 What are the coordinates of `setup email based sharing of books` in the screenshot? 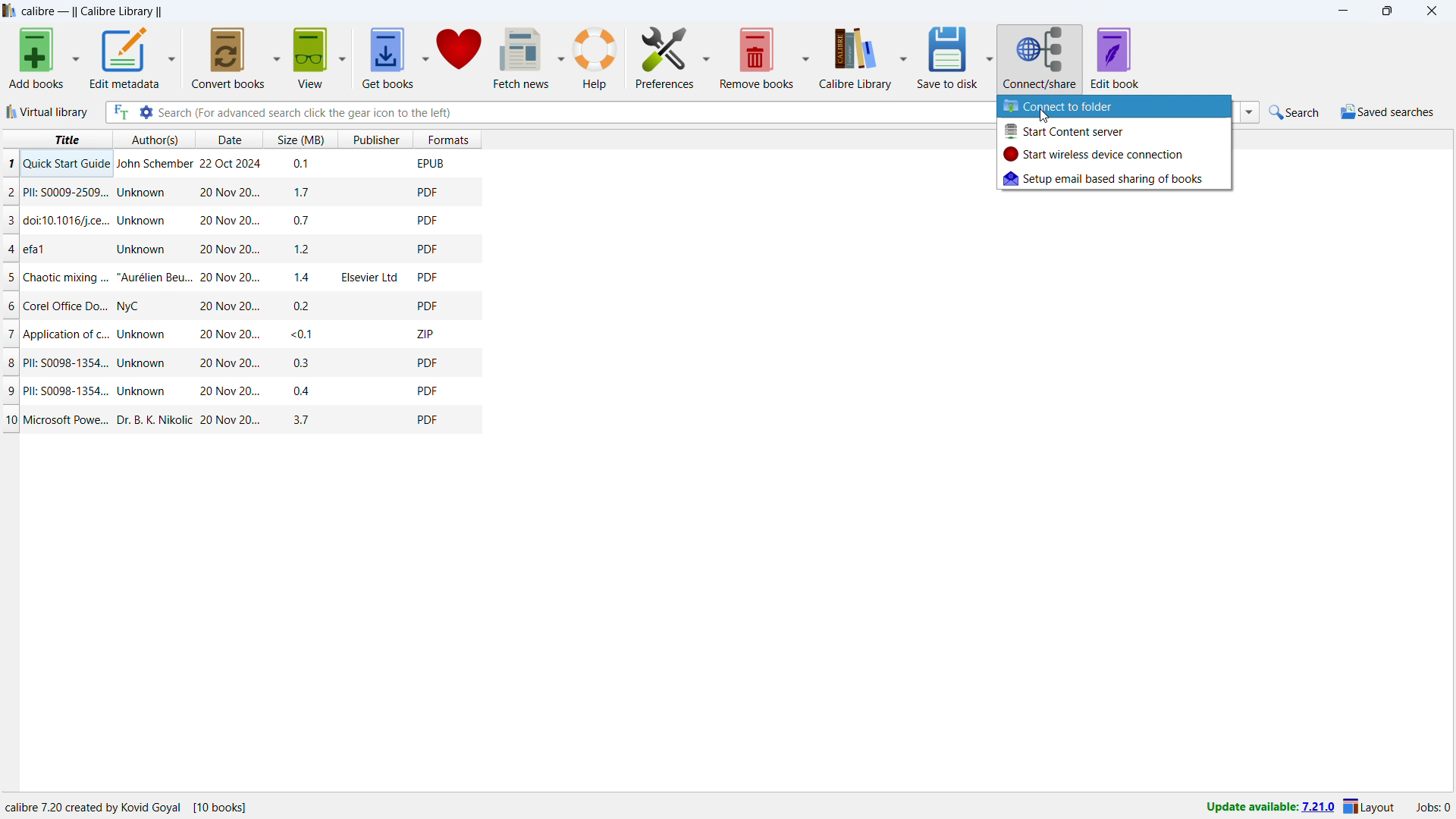 It's located at (1114, 178).